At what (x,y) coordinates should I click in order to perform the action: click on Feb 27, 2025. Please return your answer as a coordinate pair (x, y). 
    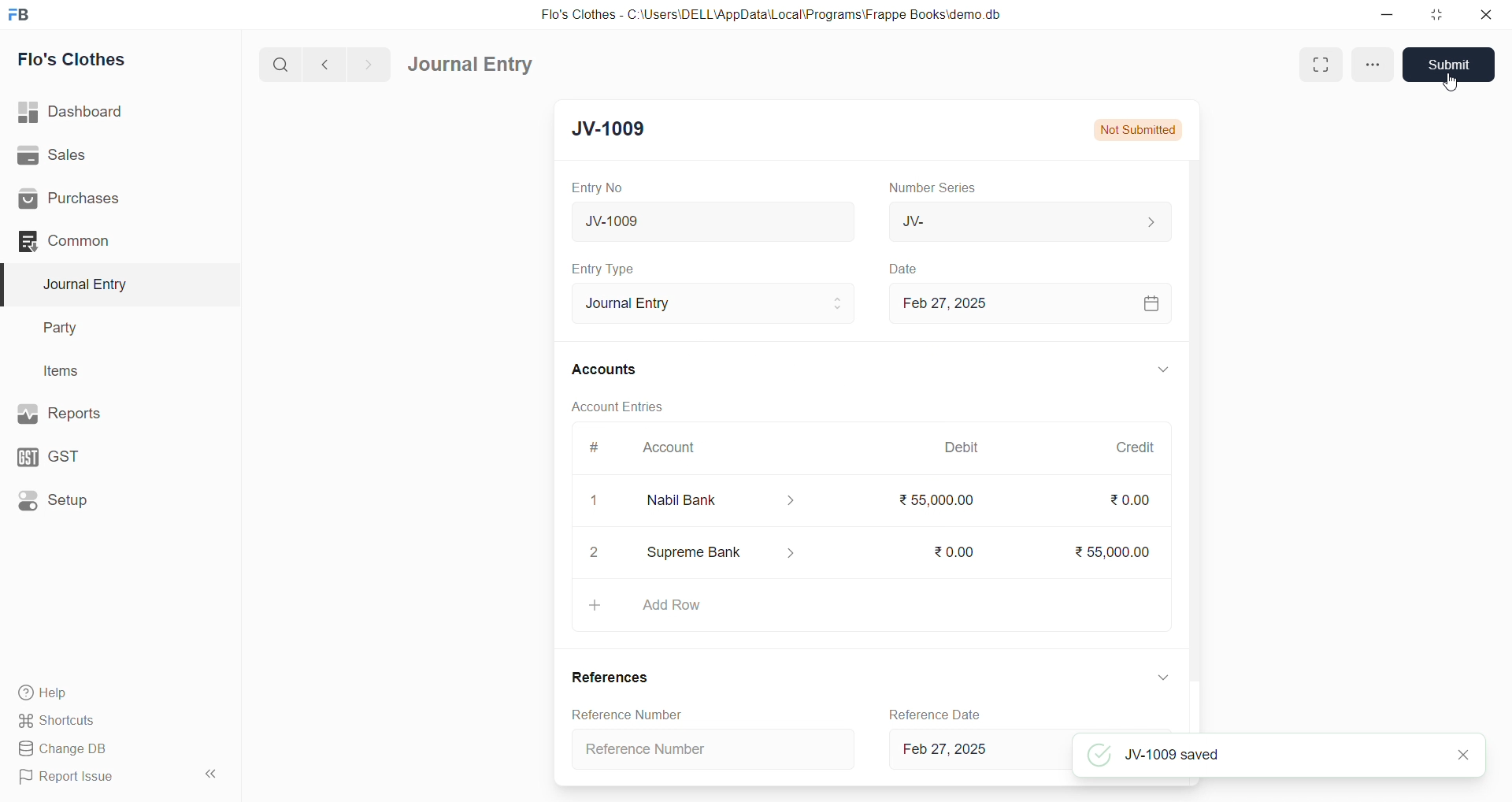
    Looking at the image, I should click on (975, 751).